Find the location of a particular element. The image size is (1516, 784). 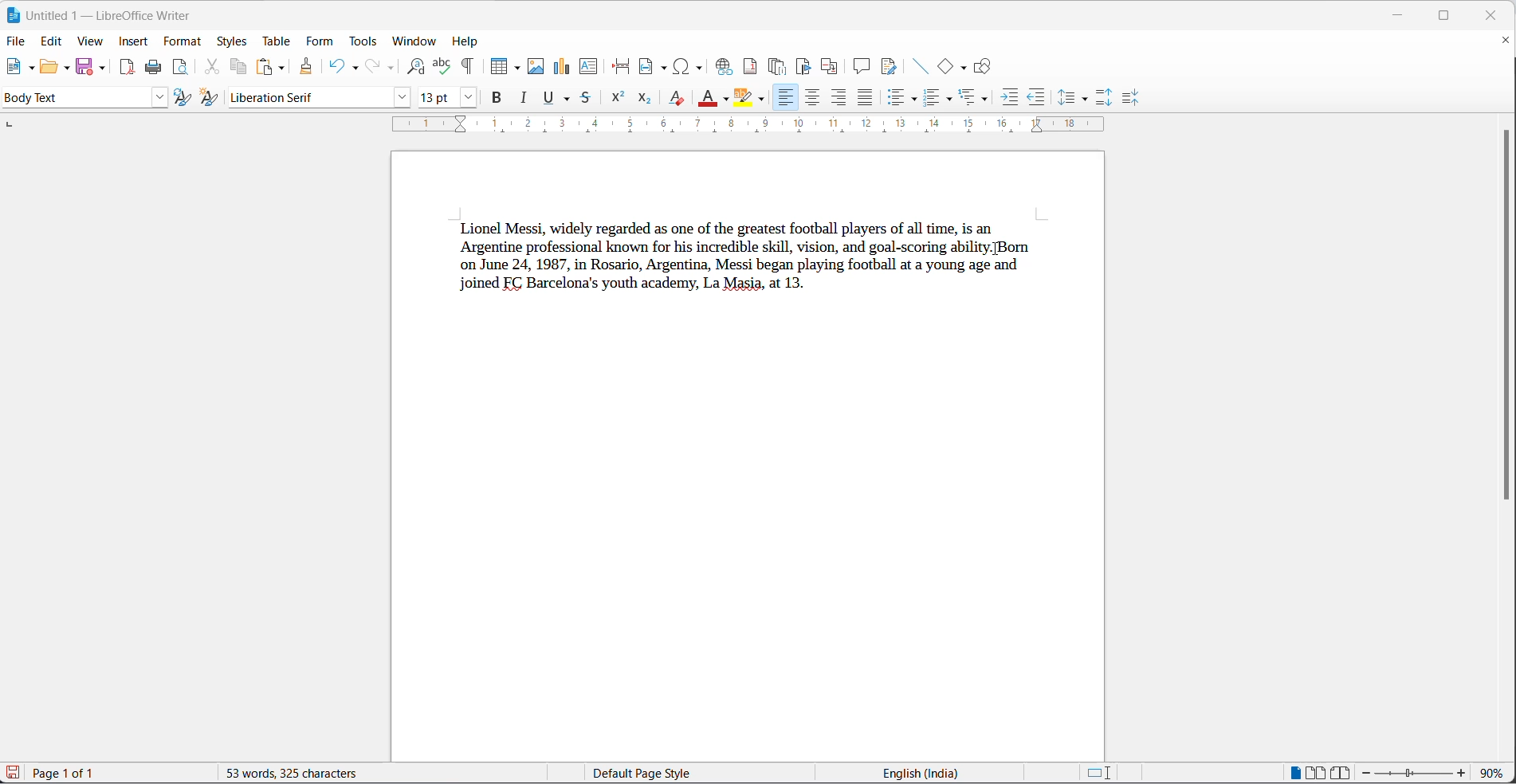

bold is located at coordinates (497, 97).